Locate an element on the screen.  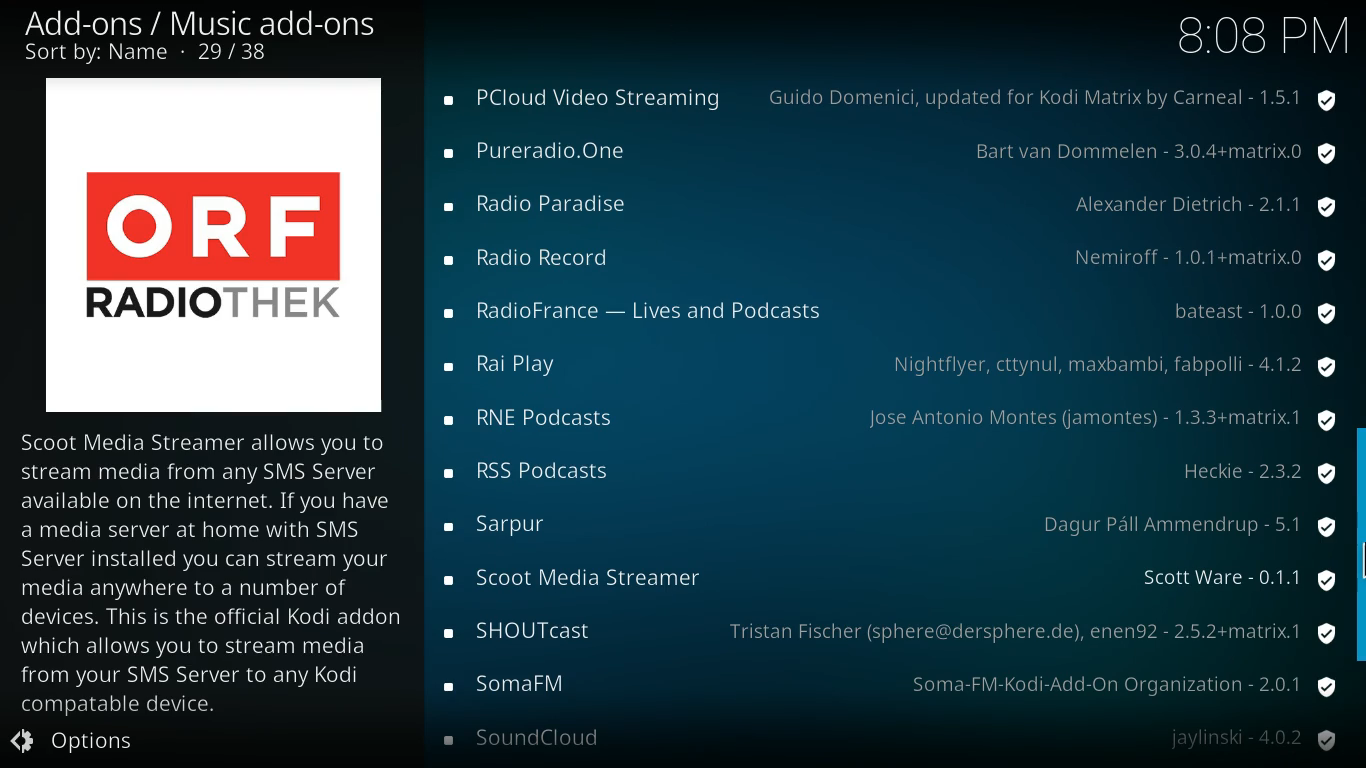
provider is located at coordinates (1210, 257).